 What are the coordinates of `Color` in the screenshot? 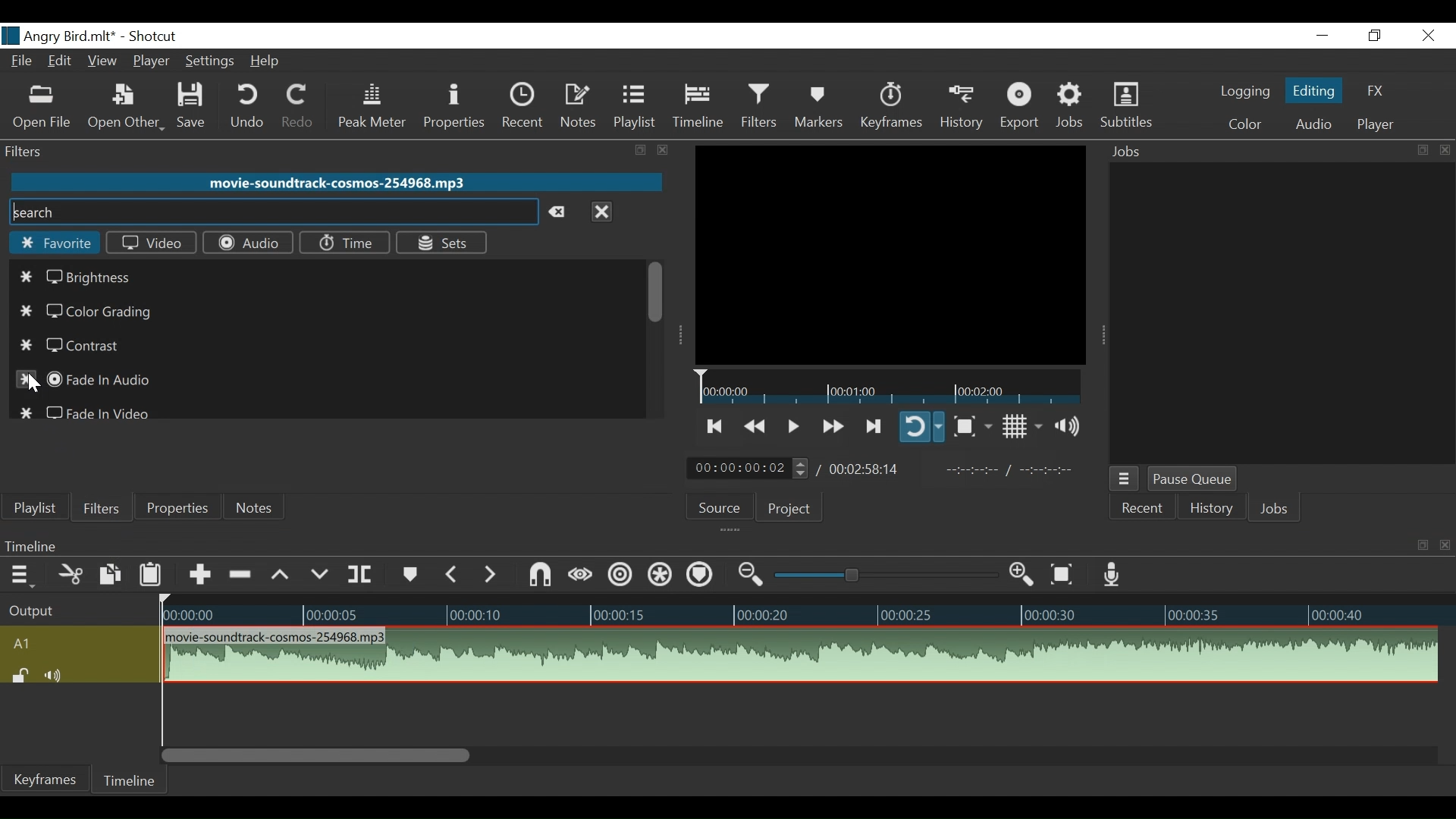 It's located at (1244, 125).